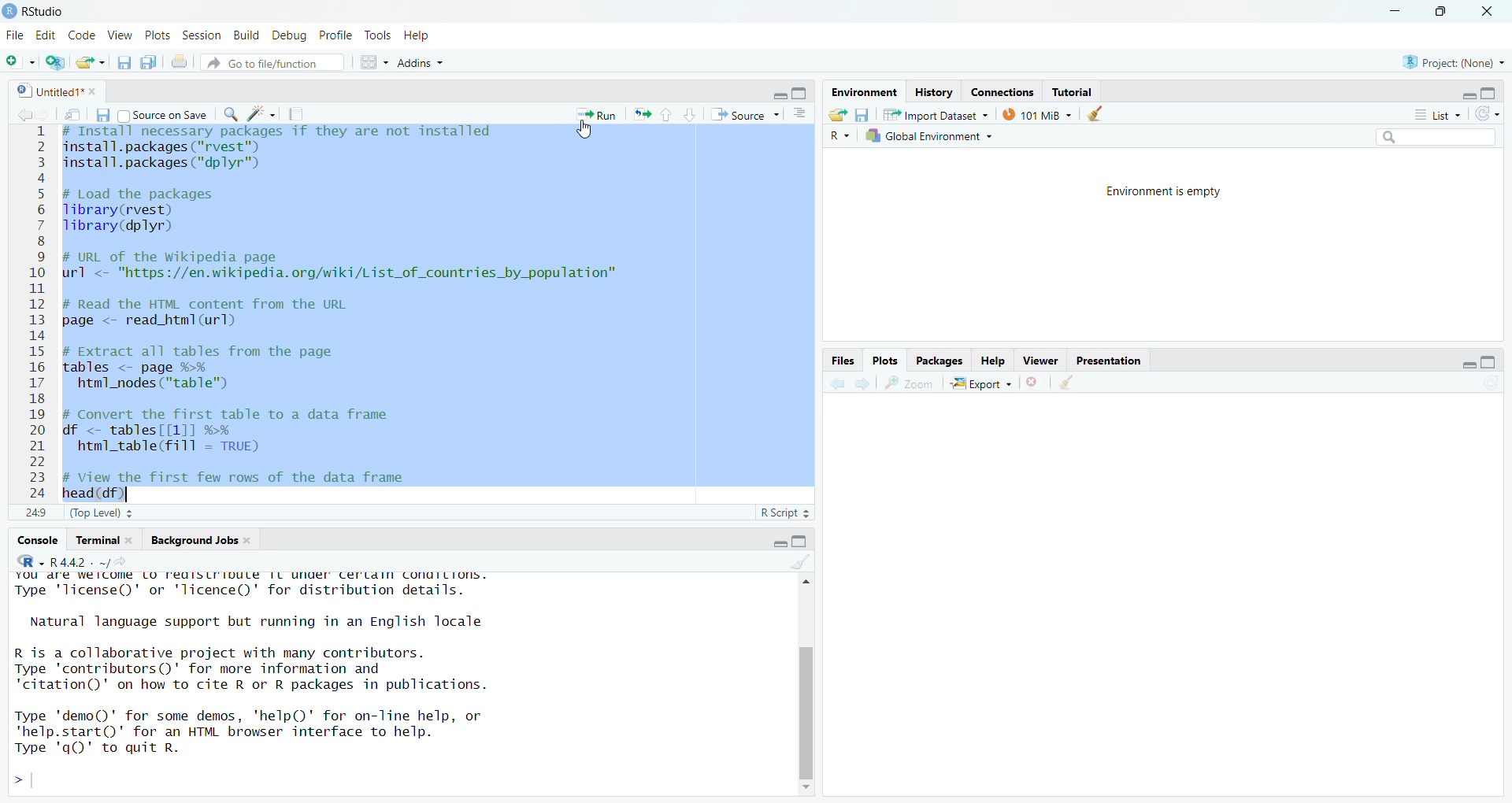 The height and width of the screenshot is (803, 1512). What do you see at coordinates (250, 540) in the screenshot?
I see `close` at bounding box center [250, 540].